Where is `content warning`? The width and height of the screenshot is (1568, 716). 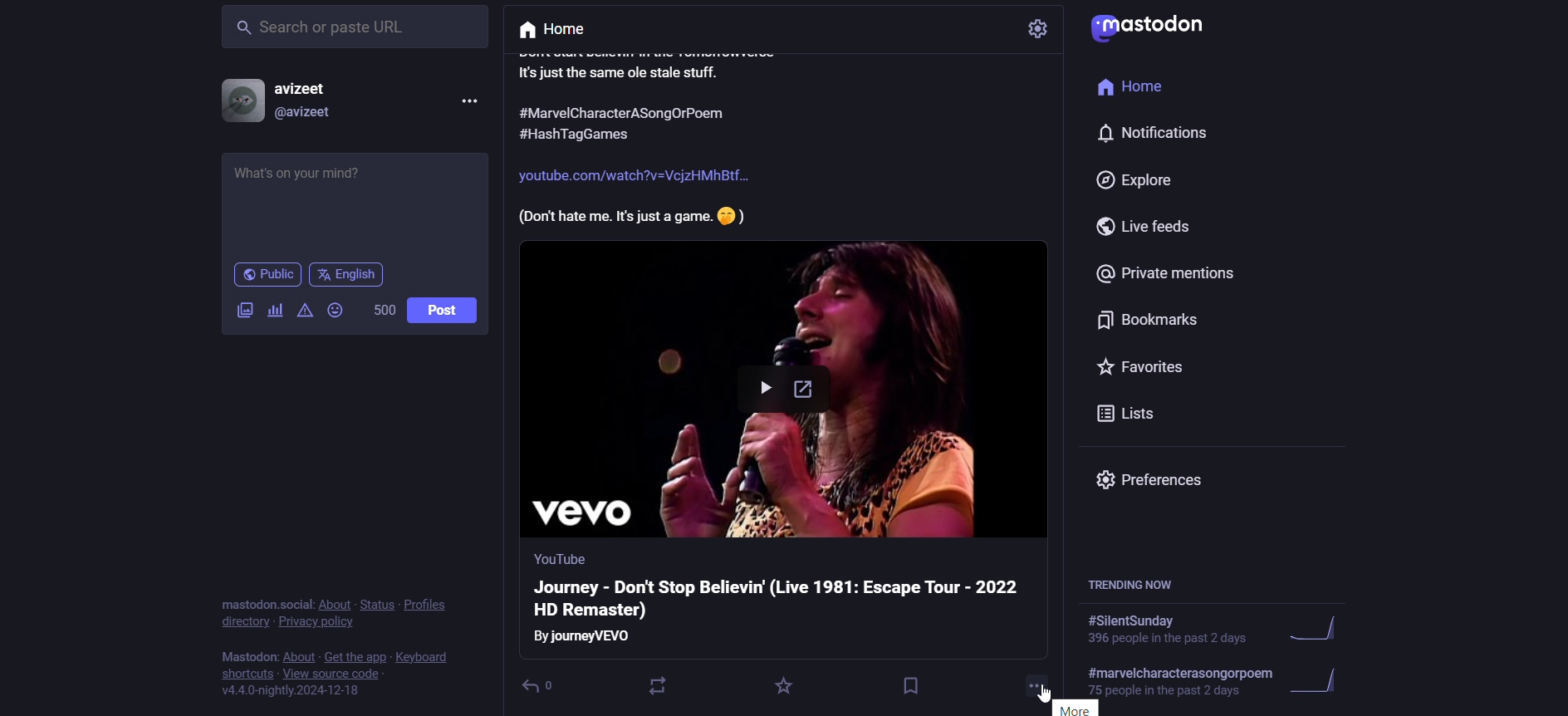 content warning is located at coordinates (304, 313).